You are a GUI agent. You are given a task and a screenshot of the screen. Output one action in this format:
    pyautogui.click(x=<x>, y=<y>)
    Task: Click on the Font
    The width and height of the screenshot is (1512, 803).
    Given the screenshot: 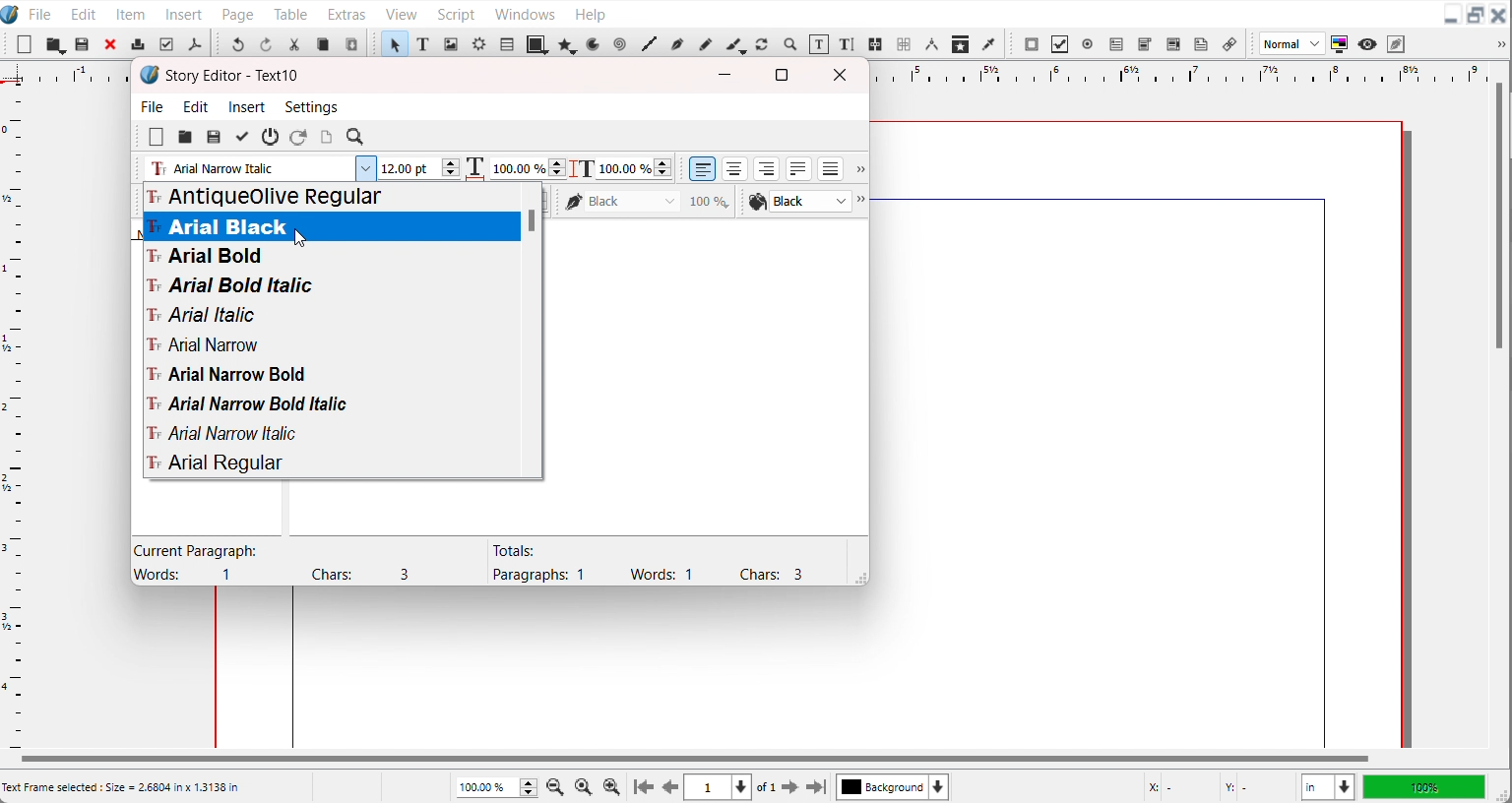 What is the action you would take?
    pyautogui.click(x=330, y=433)
    